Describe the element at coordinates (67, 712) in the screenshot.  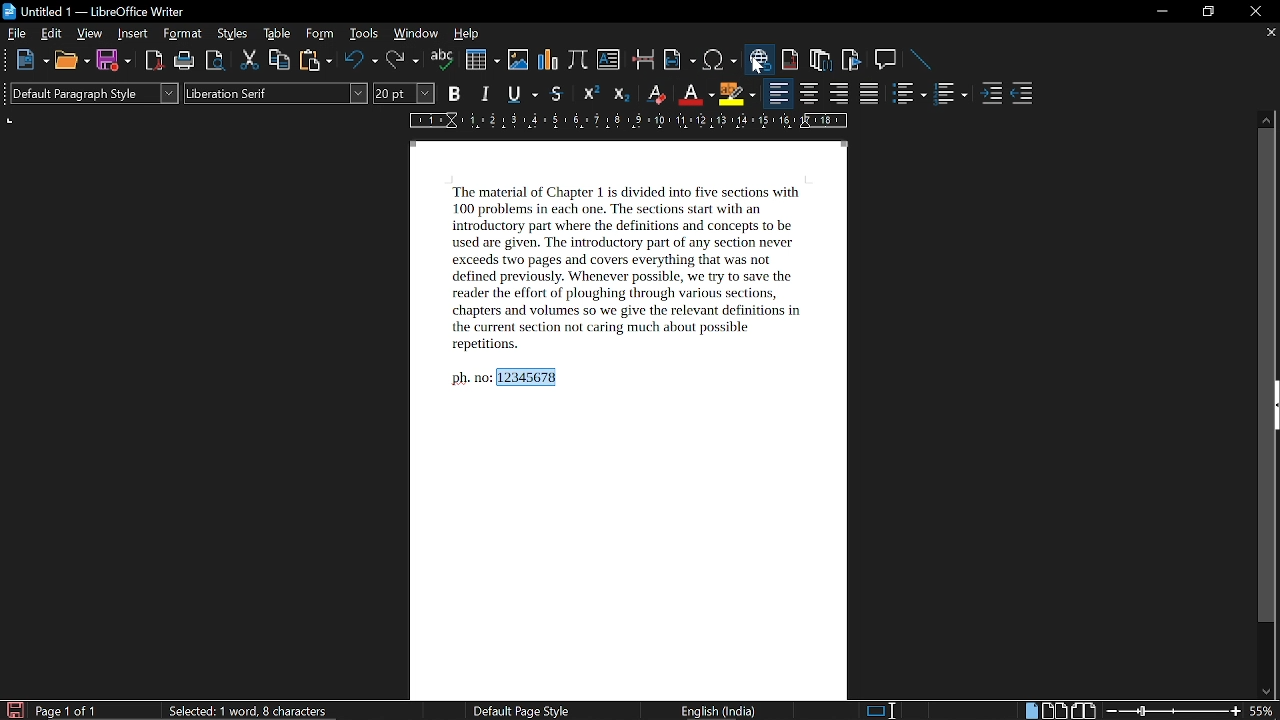
I see `page 1 of 1` at that location.